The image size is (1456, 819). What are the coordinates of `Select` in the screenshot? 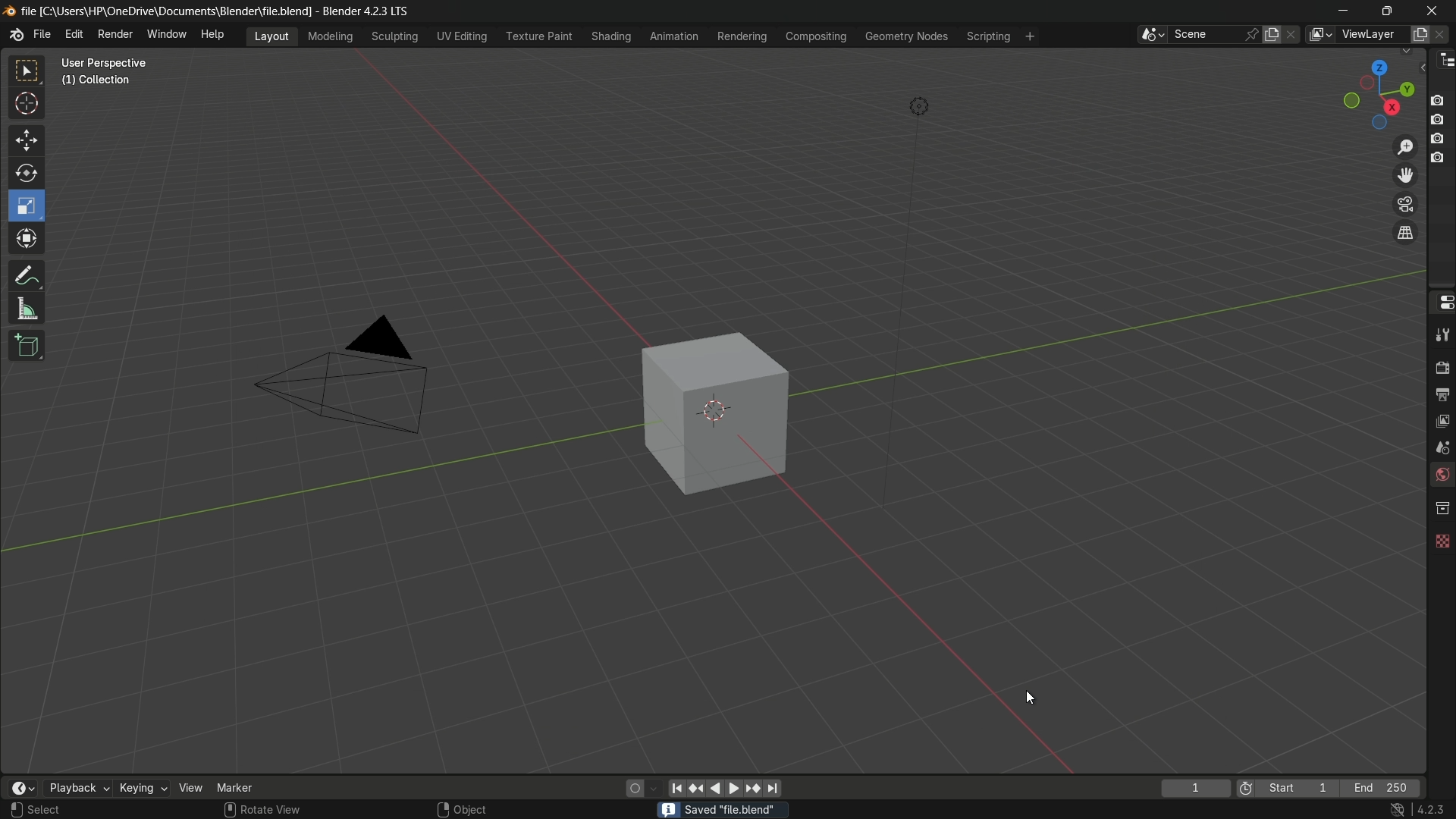 It's located at (63, 810).